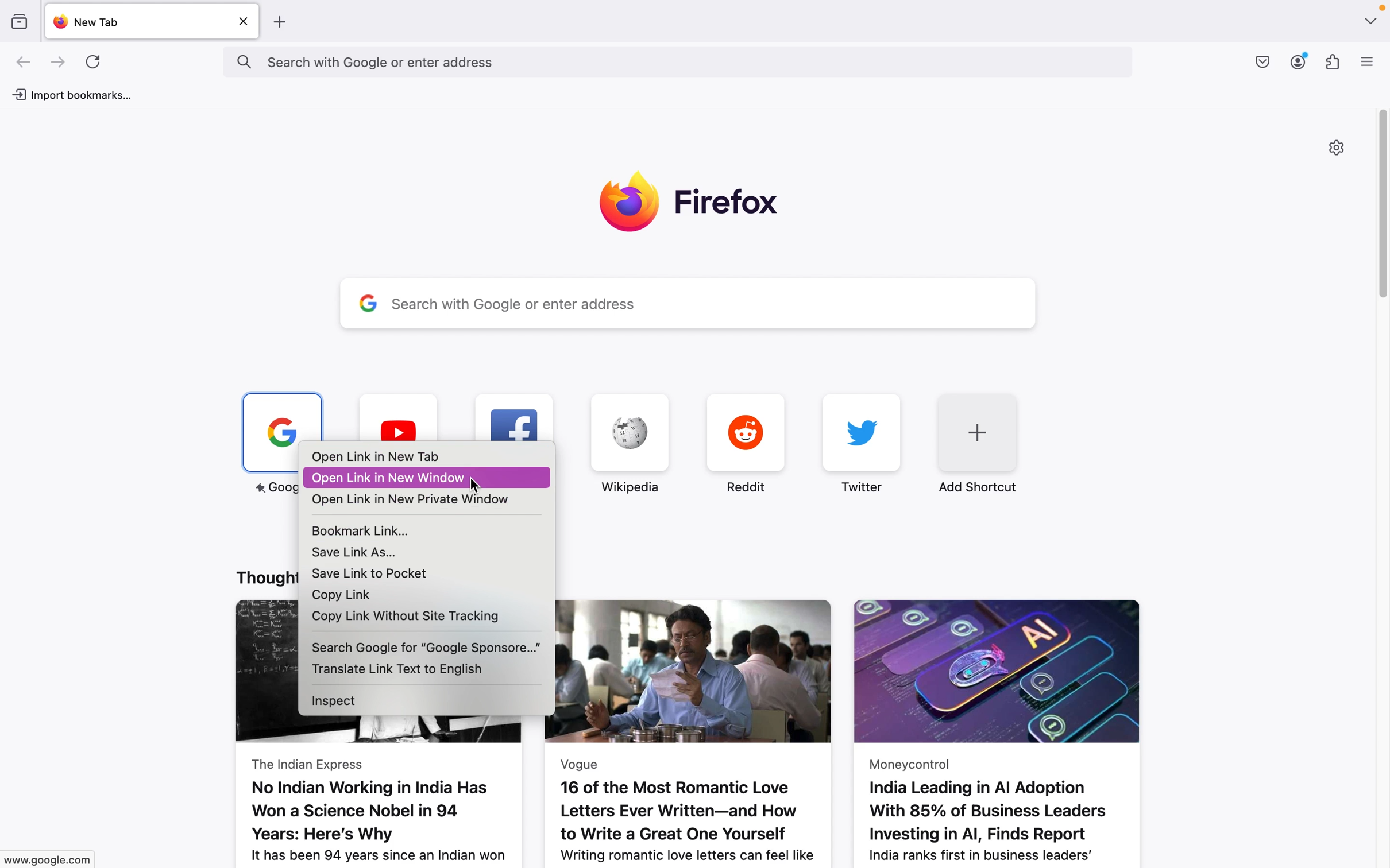 Image resolution: width=1390 pixels, height=868 pixels. Describe the element at coordinates (1341, 152) in the screenshot. I see `settings` at that location.